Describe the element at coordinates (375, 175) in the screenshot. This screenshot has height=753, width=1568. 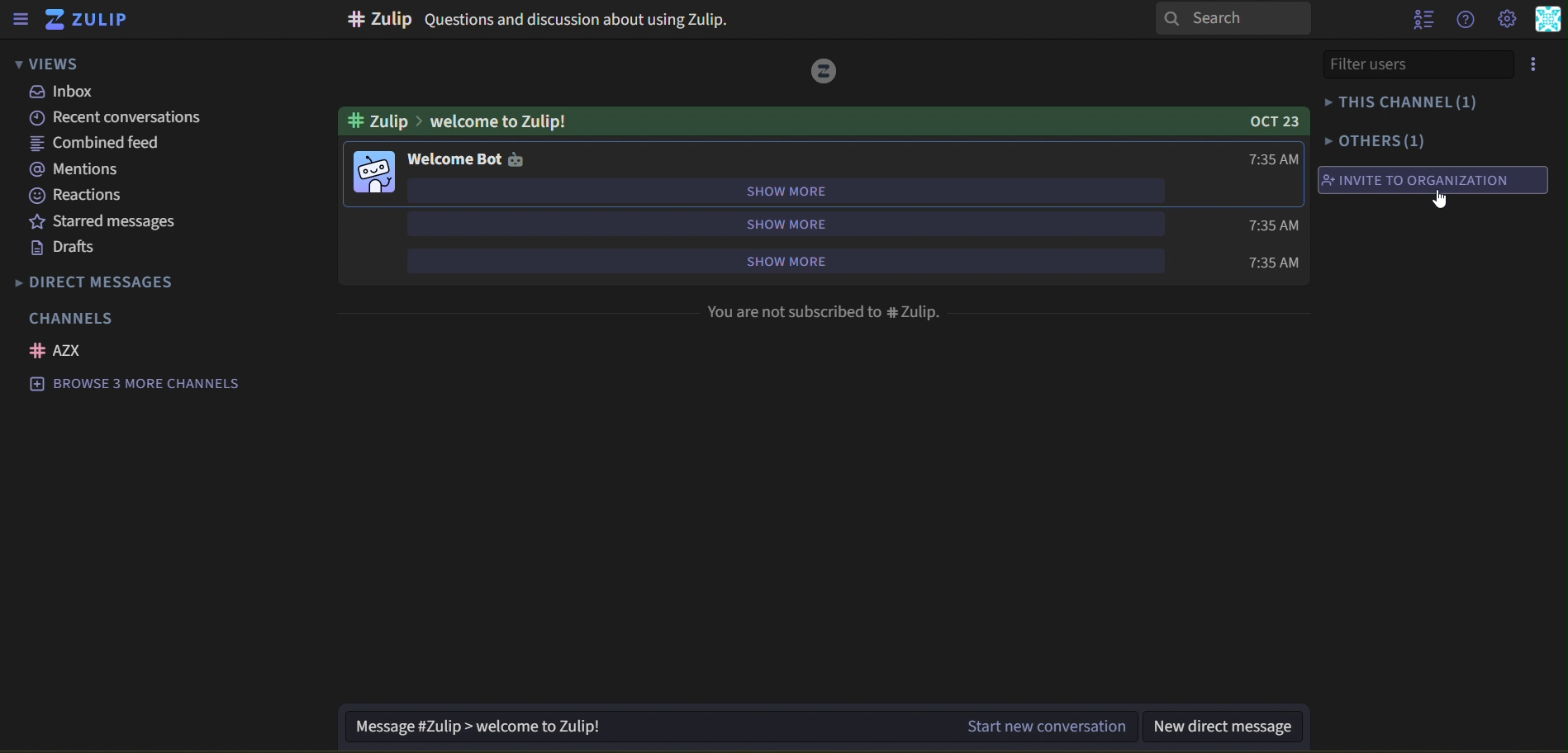
I see `image` at that location.